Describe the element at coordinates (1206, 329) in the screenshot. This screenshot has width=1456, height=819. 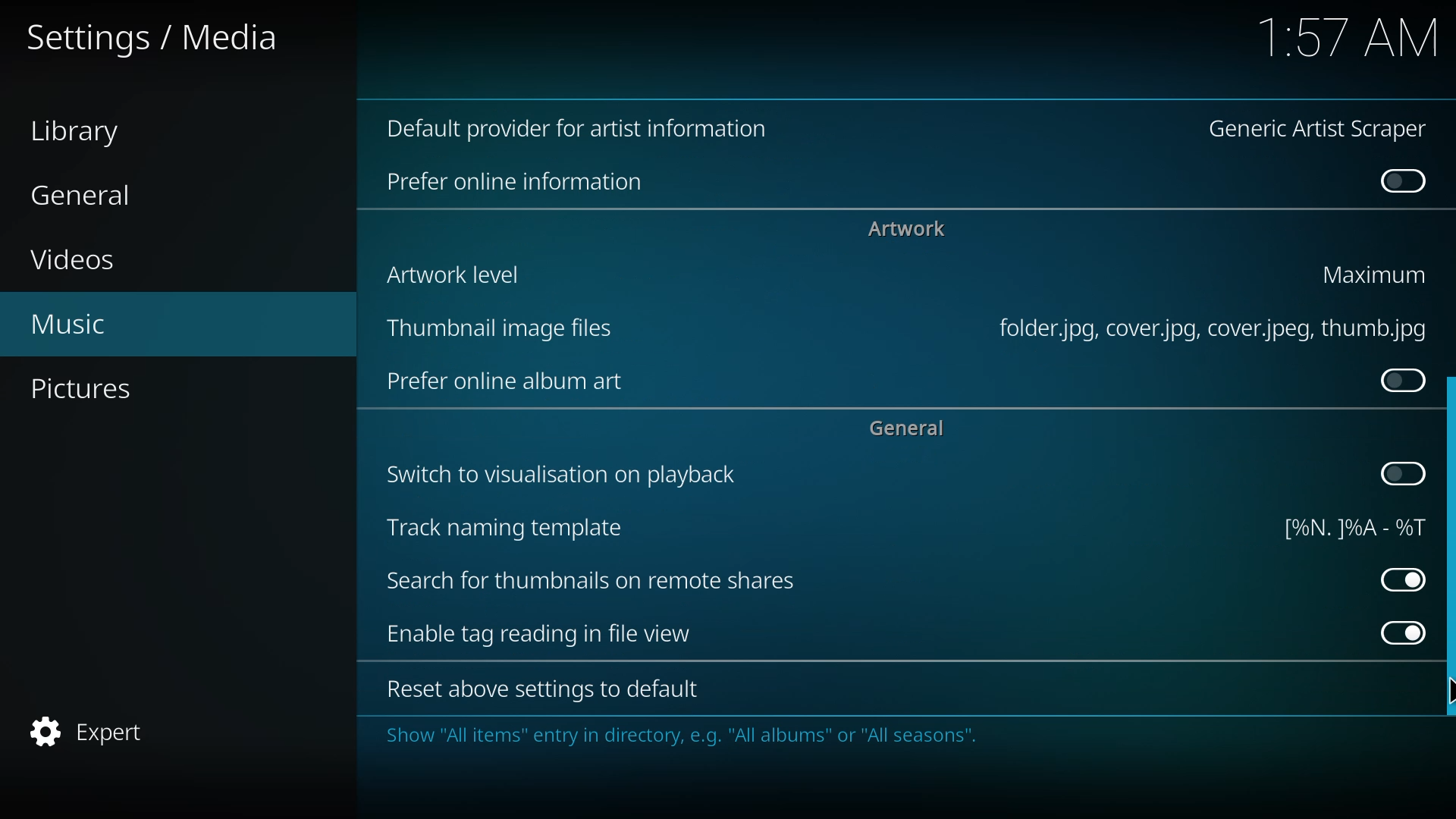
I see `file type` at that location.